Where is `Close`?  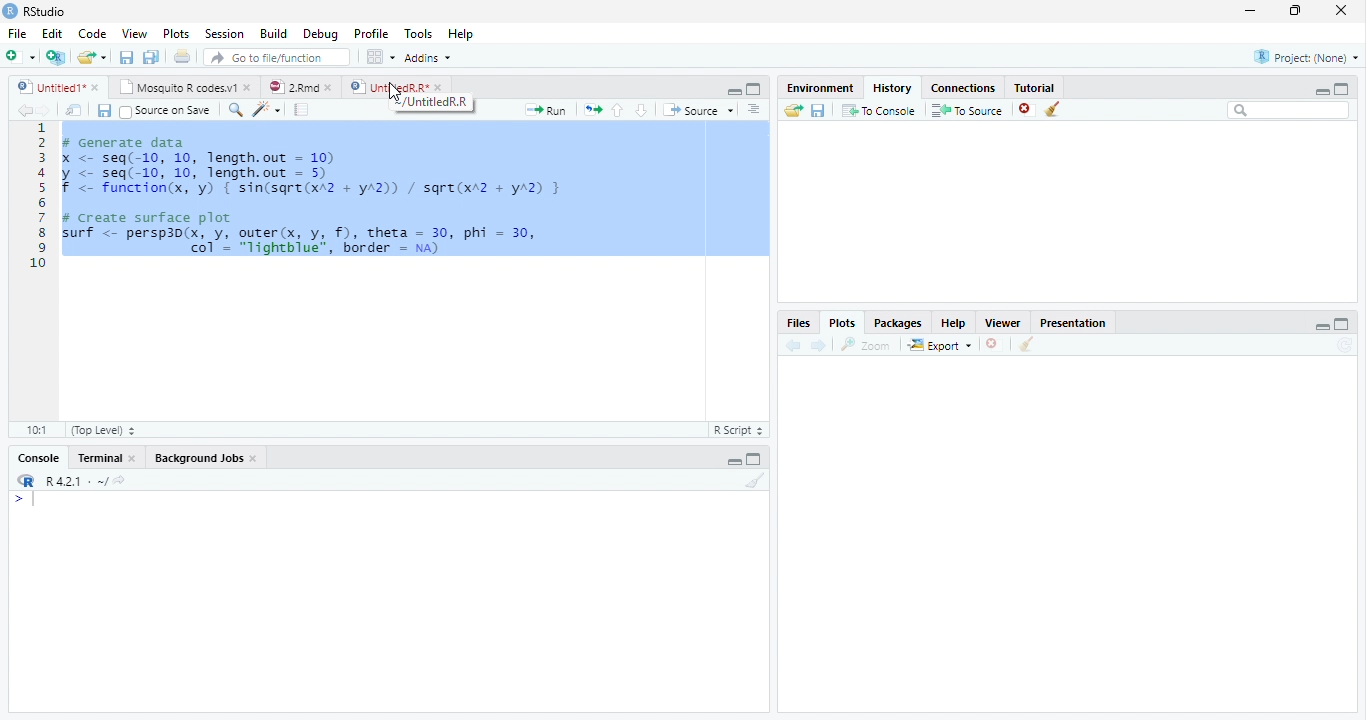 Close is located at coordinates (254, 458).